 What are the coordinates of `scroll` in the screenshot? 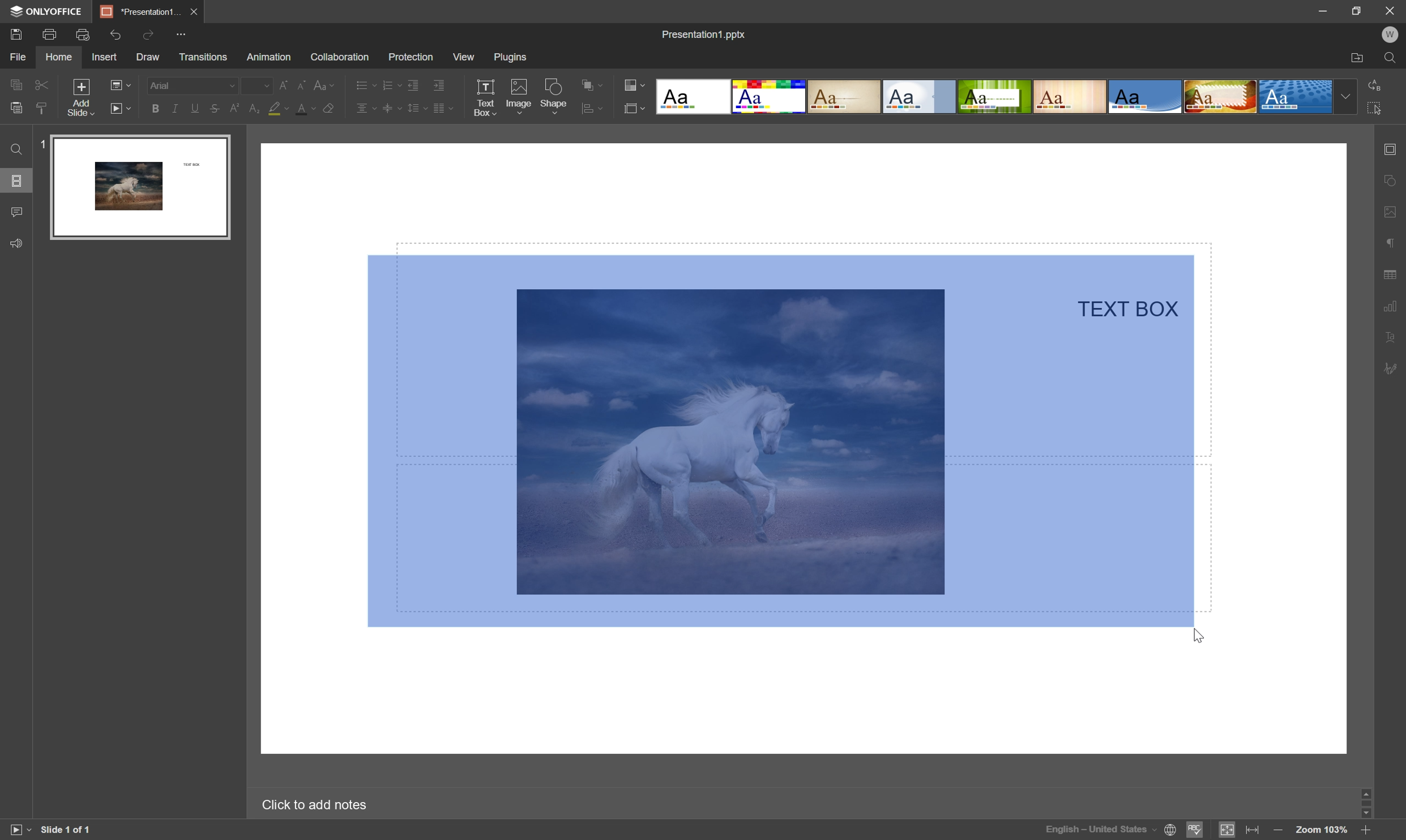 It's located at (1366, 804).